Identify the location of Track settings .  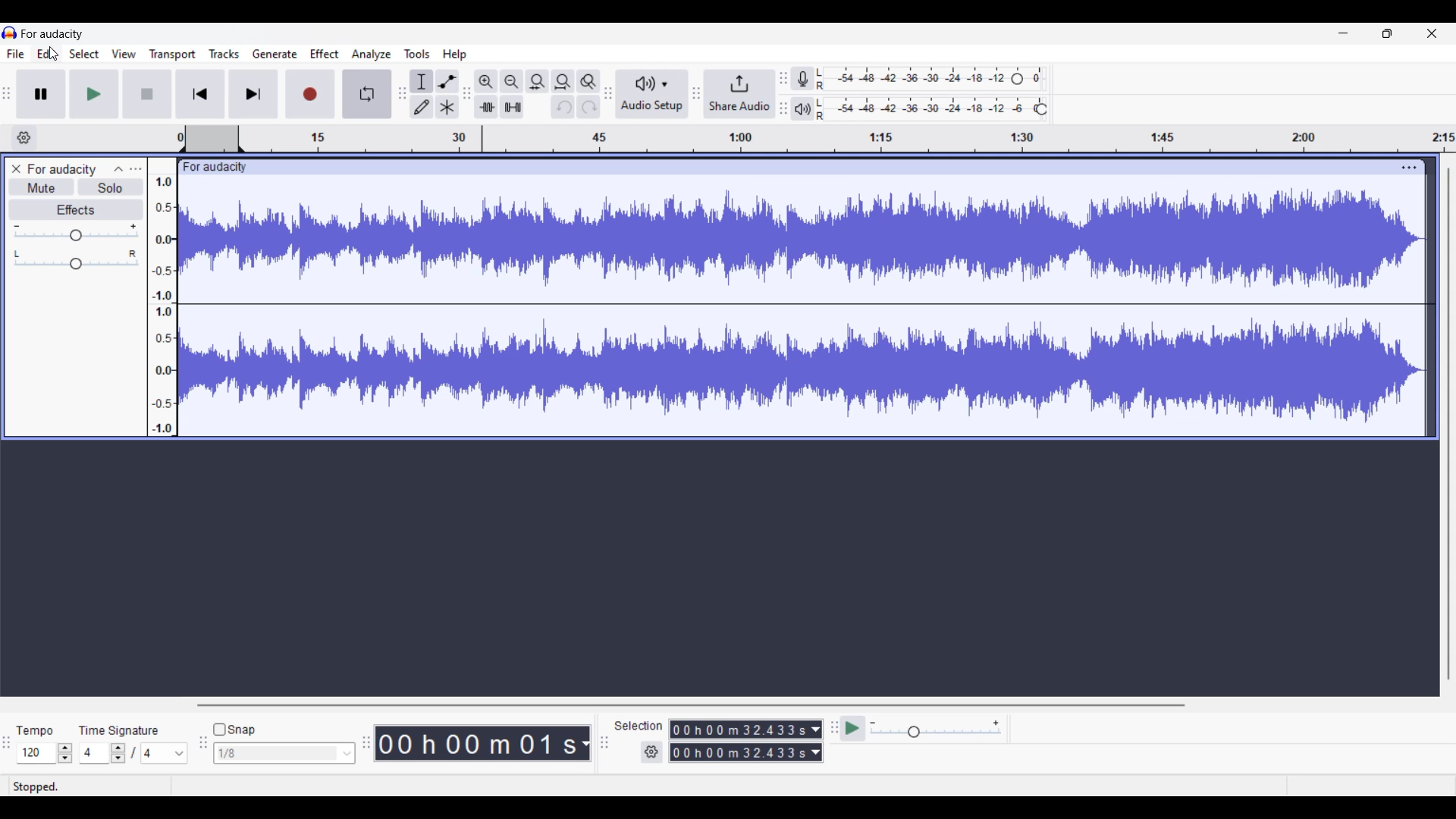
(1410, 168).